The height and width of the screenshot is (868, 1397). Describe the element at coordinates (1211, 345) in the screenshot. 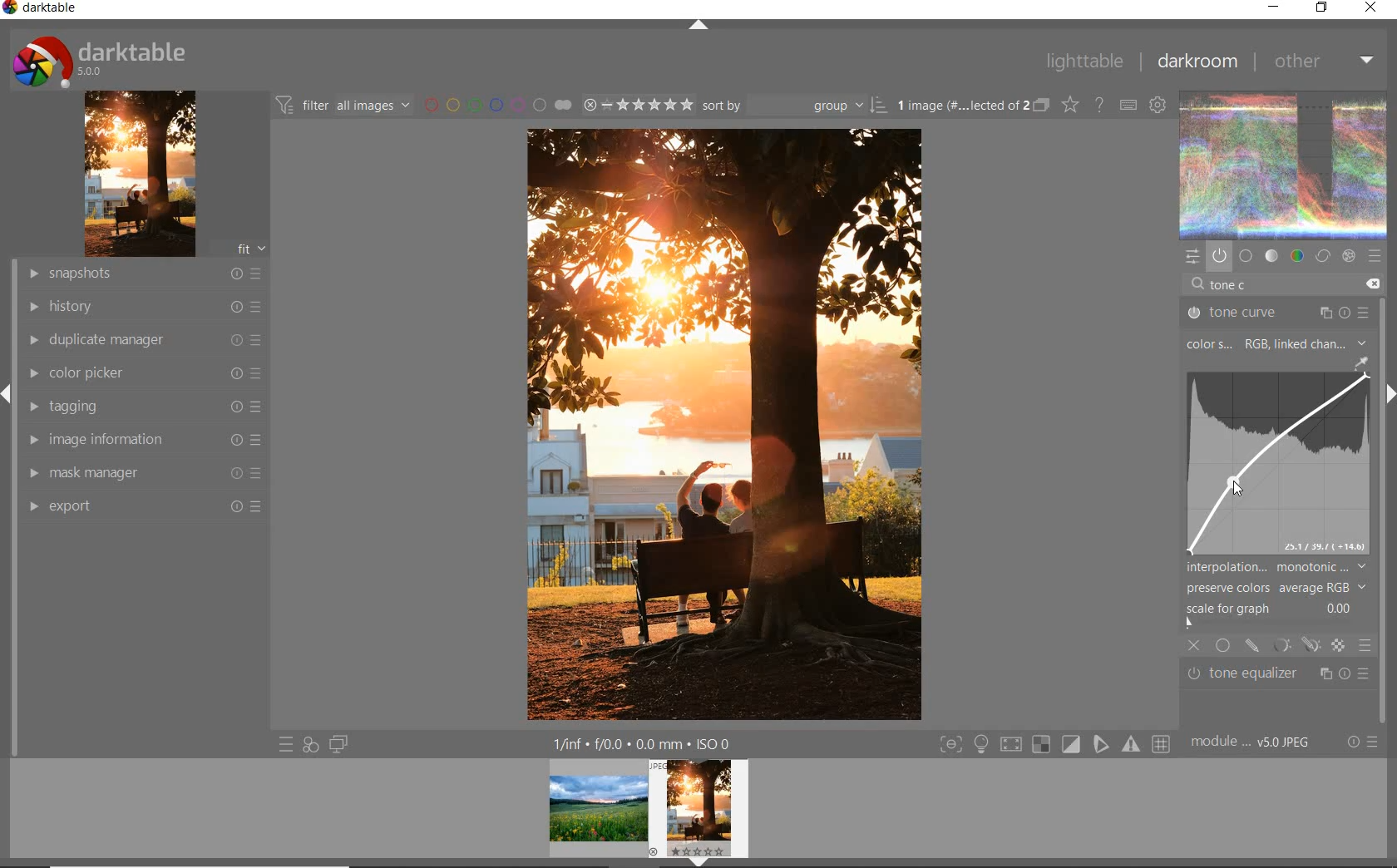

I see `COLOR SPACE` at that location.